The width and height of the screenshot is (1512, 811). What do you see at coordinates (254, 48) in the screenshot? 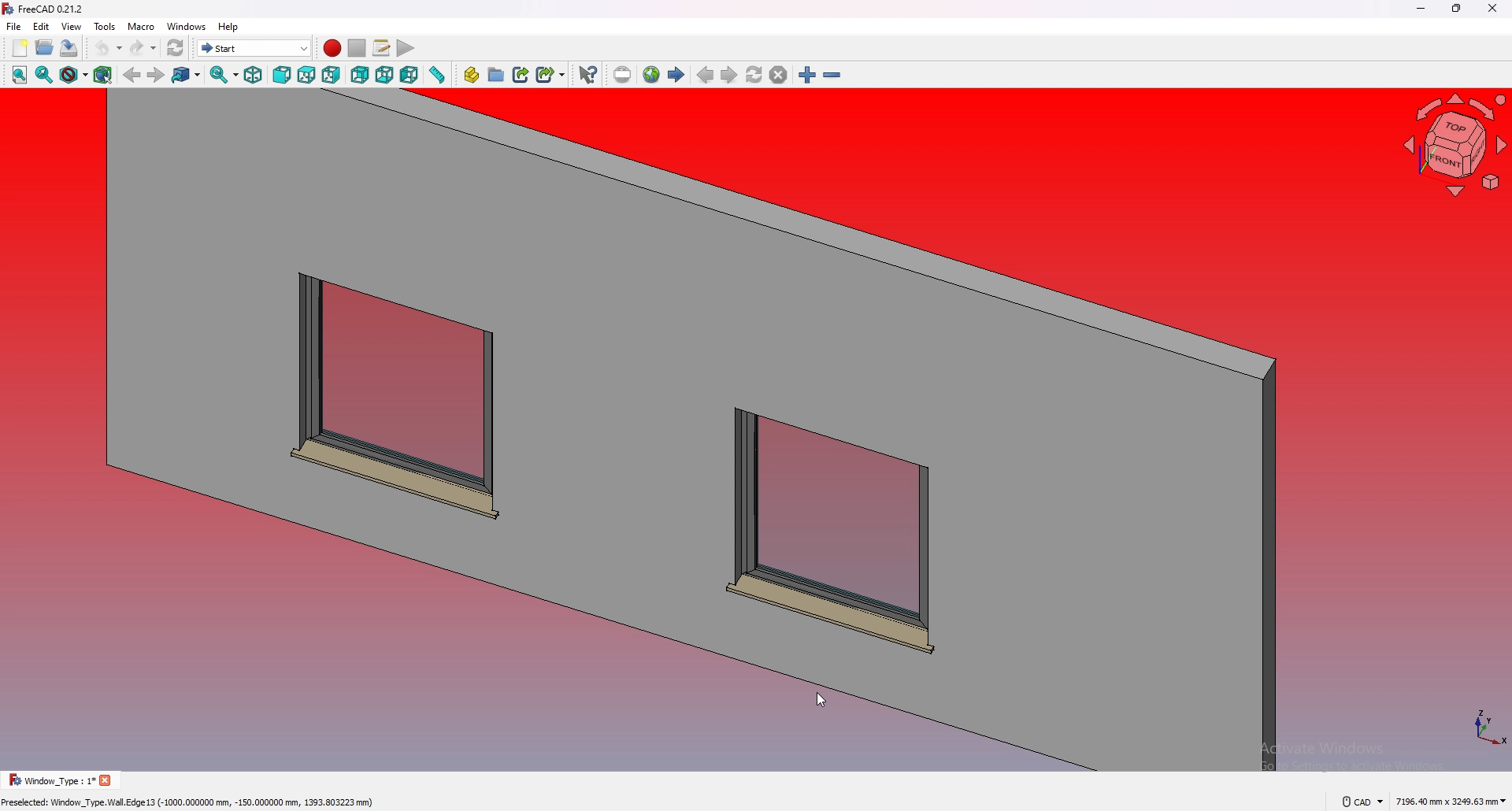
I see `switch between workbenches` at bounding box center [254, 48].